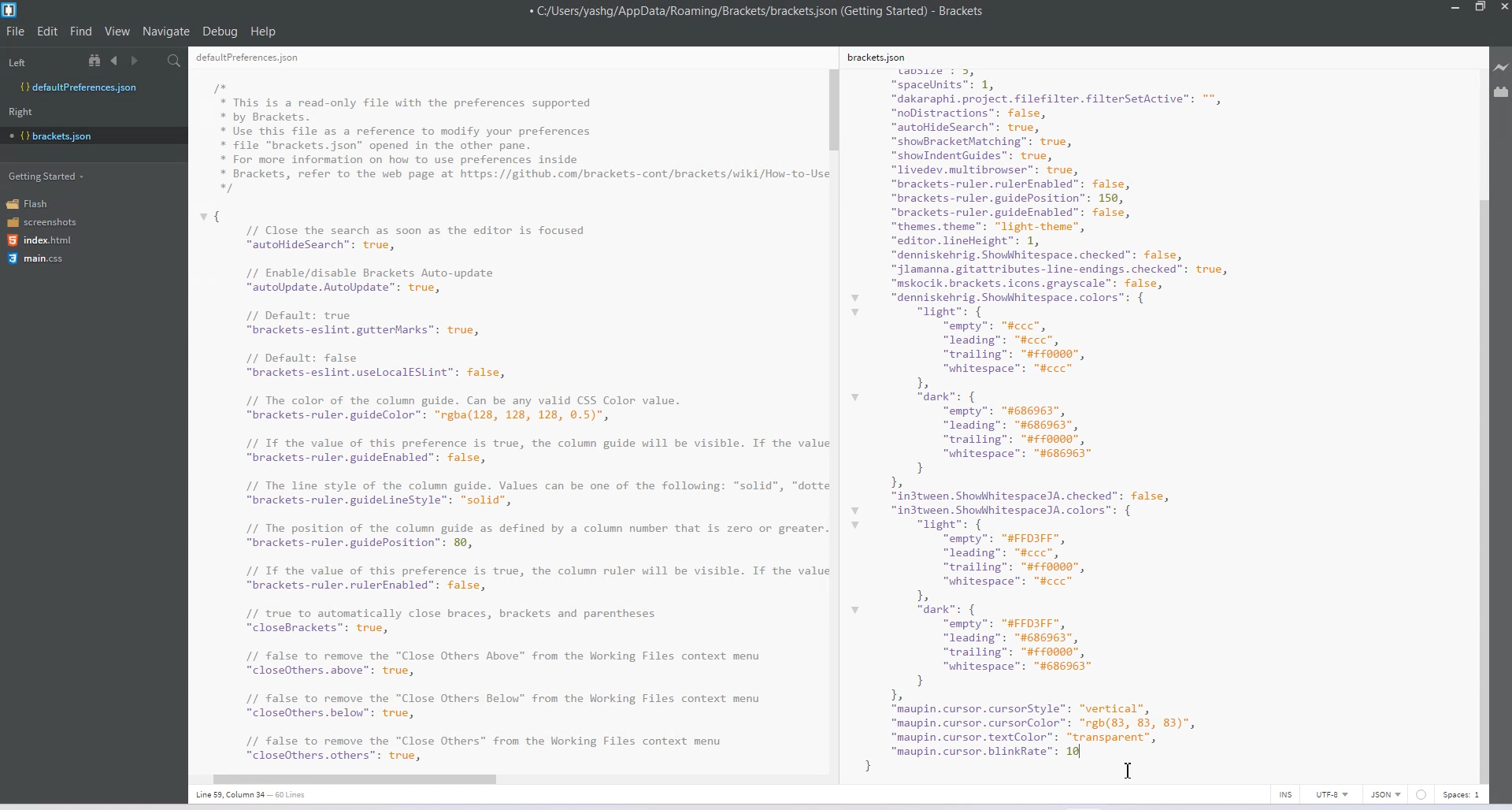  I want to click on Getting Started, so click(48, 175).